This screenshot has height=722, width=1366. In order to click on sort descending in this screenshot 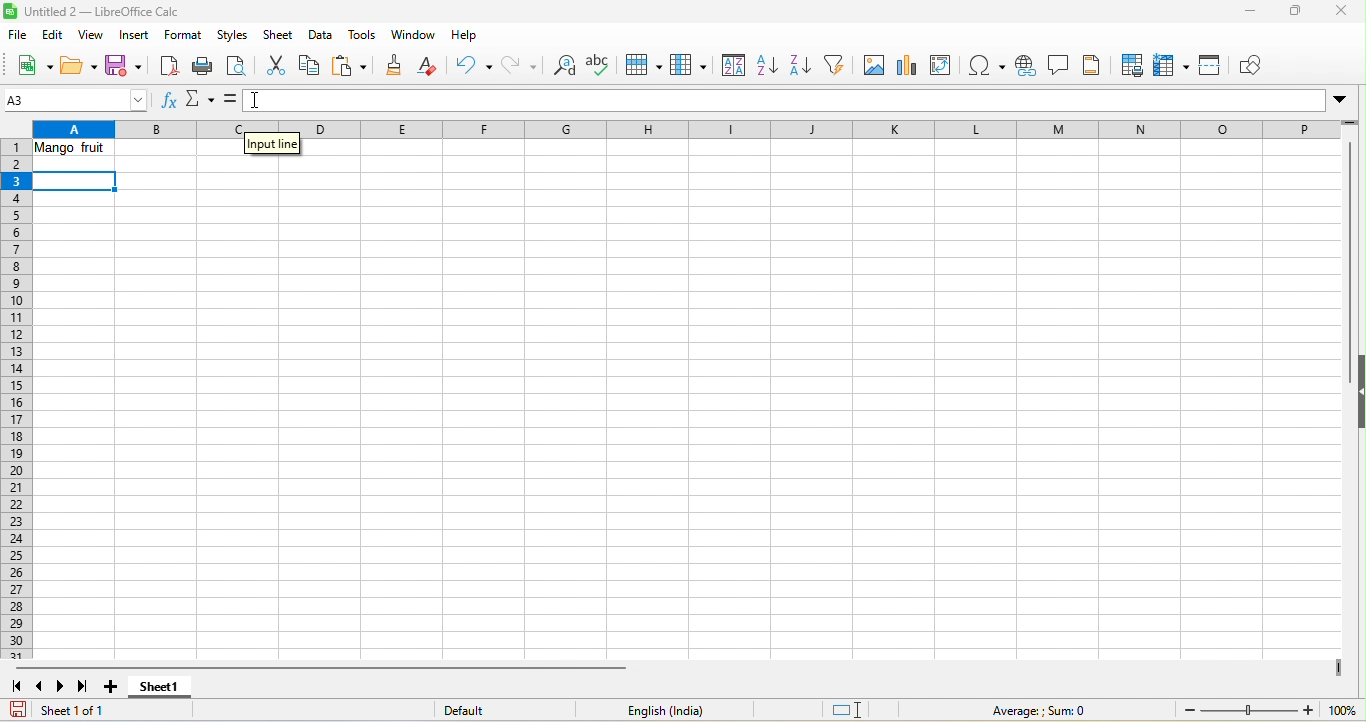, I will do `click(800, 67)`.